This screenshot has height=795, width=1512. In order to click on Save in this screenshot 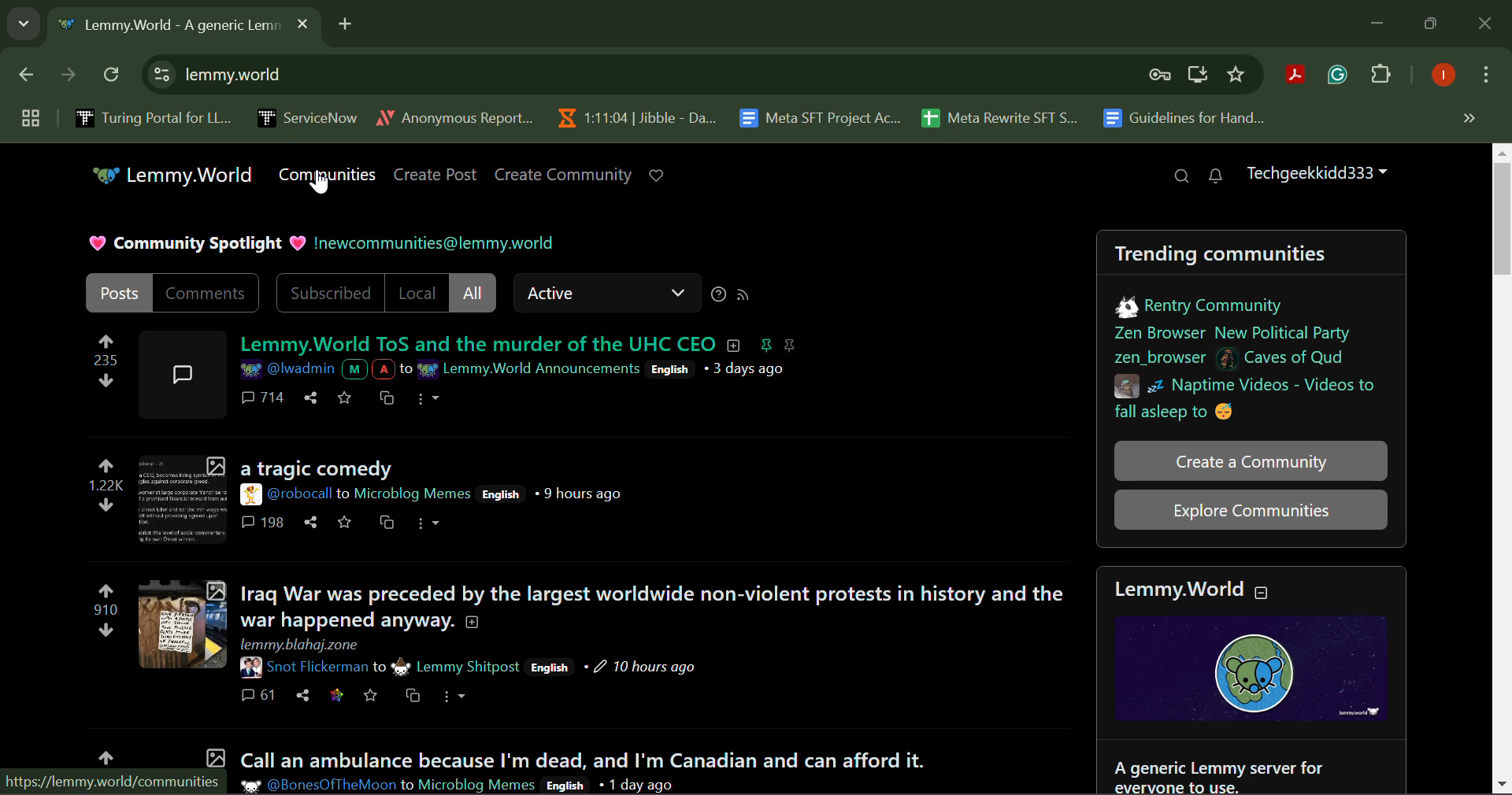, I will do `click(345, 521)`.